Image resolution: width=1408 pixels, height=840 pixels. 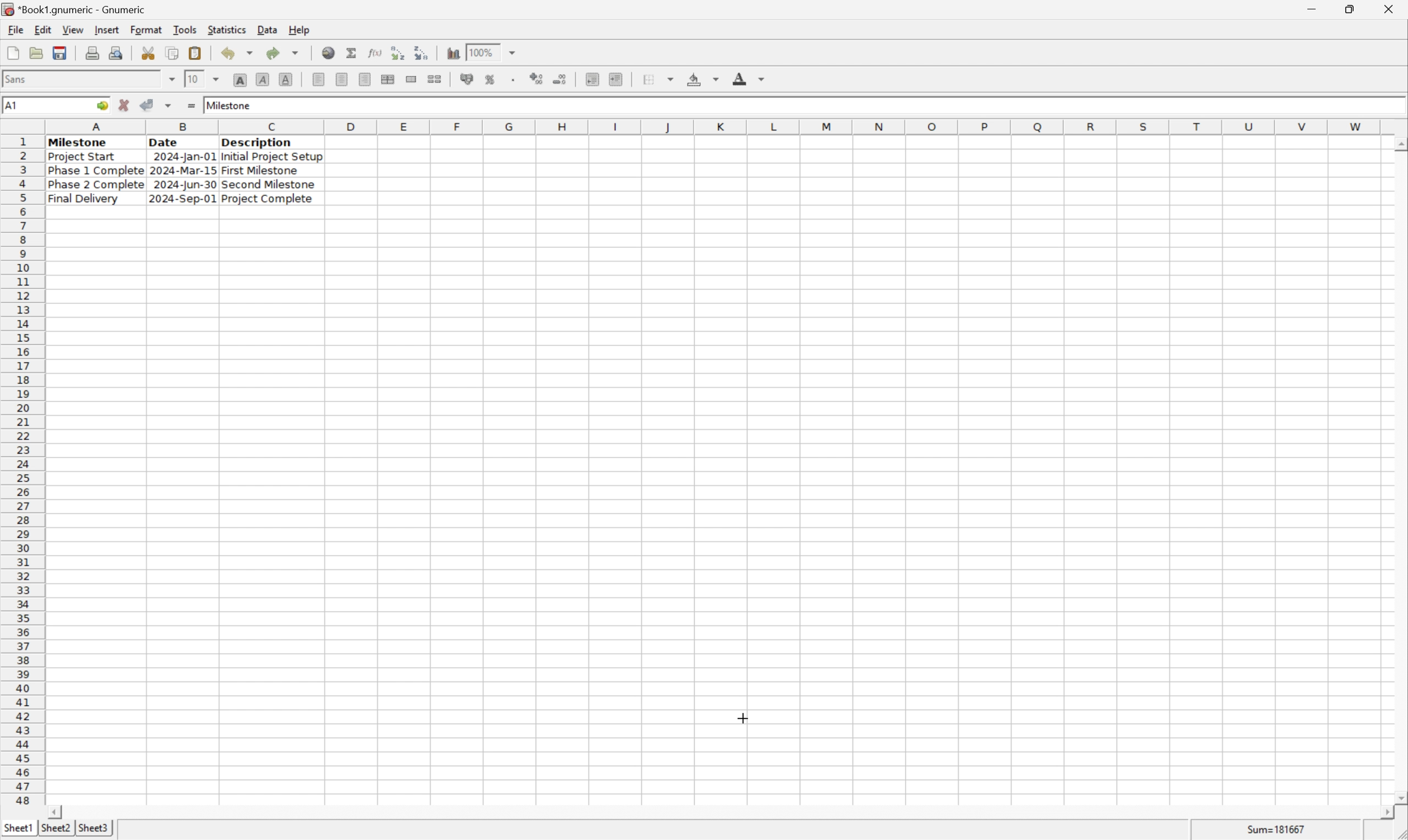 I want to click on enter formula, so click(x=190, y=106).